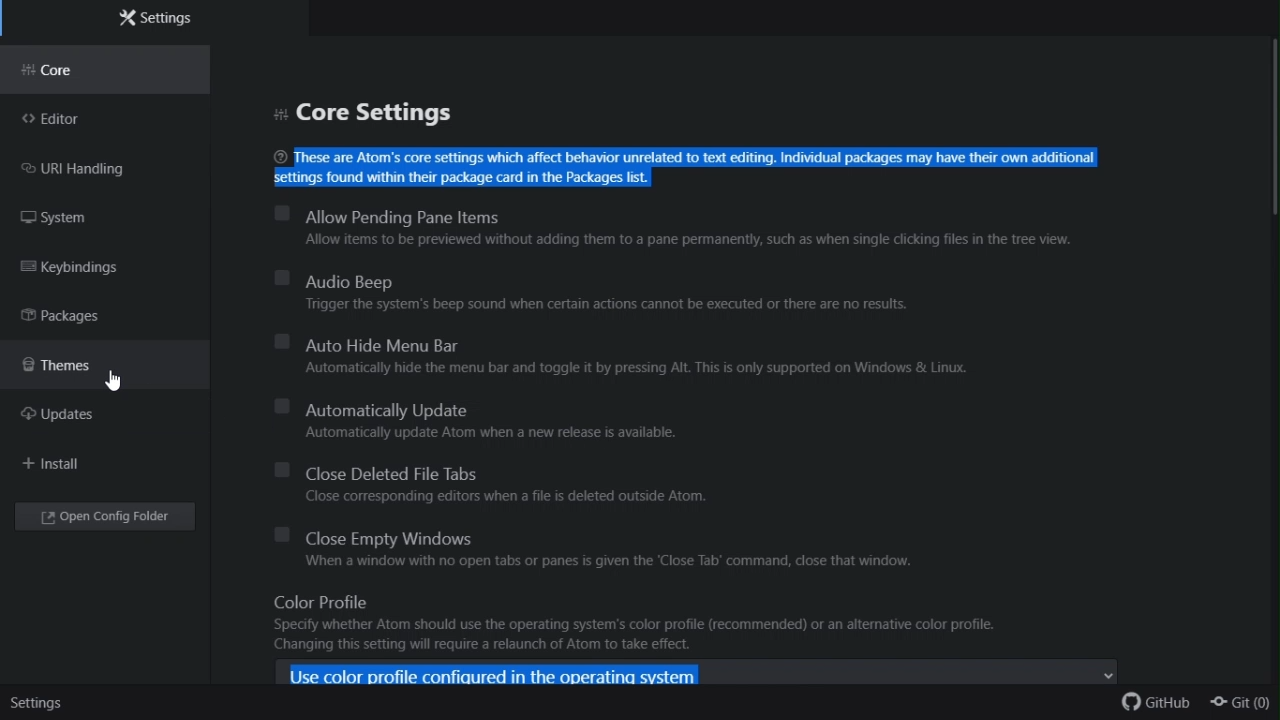  I want to click on updates, so click(81, 419).